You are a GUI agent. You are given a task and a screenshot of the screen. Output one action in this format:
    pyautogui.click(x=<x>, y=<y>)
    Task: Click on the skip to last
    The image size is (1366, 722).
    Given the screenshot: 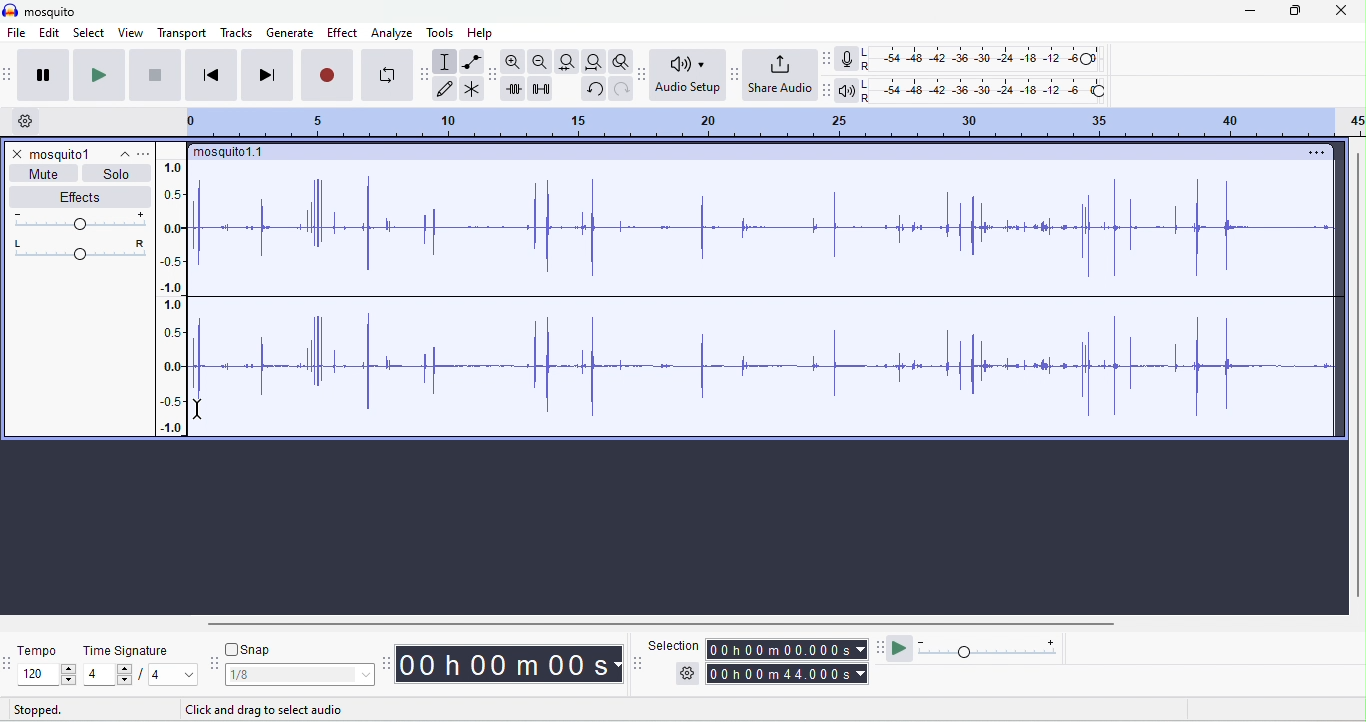 What is the action you would take?
    pyautogui.click(x=268, y=74)
    